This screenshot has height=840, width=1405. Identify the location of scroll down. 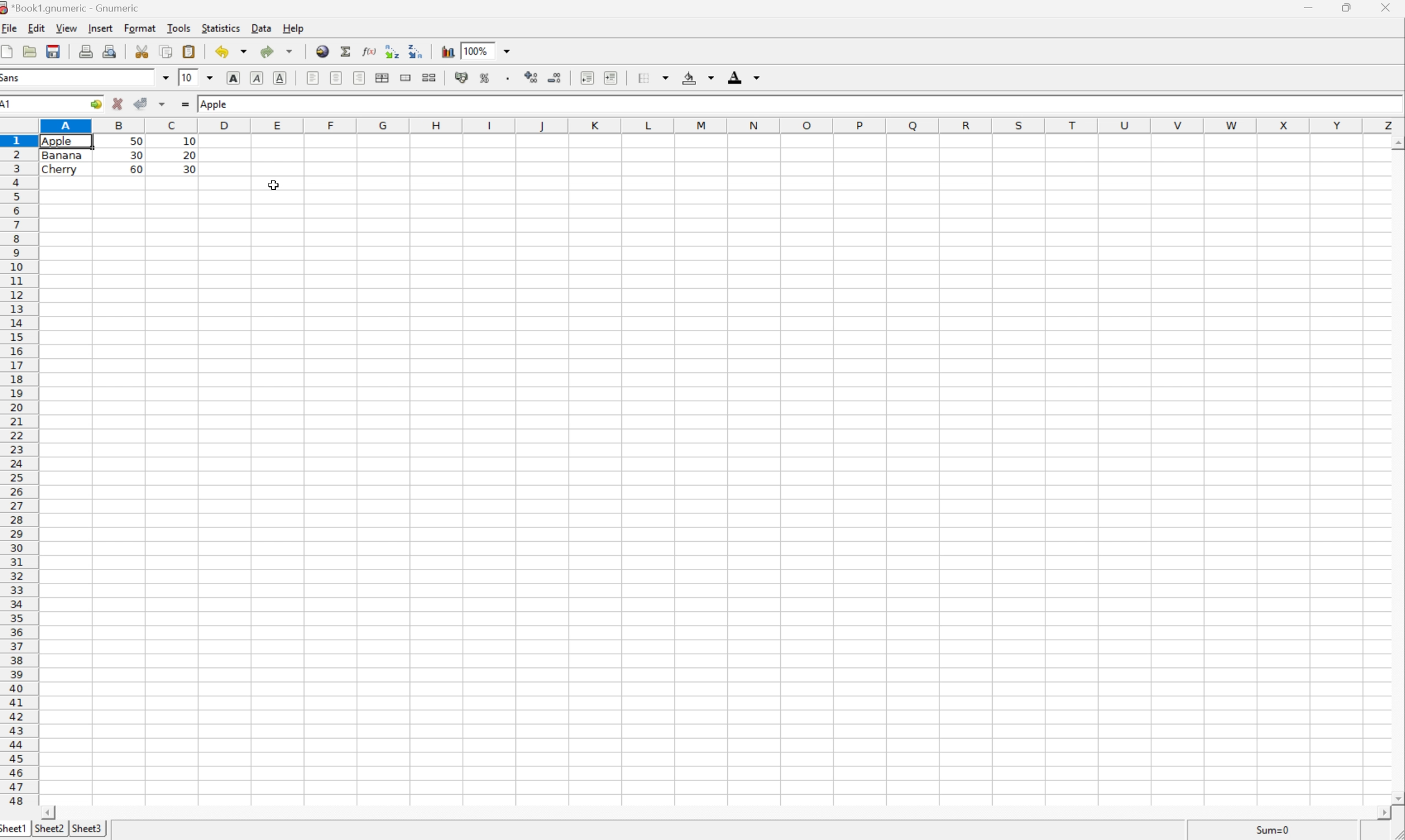
(1396, 798).